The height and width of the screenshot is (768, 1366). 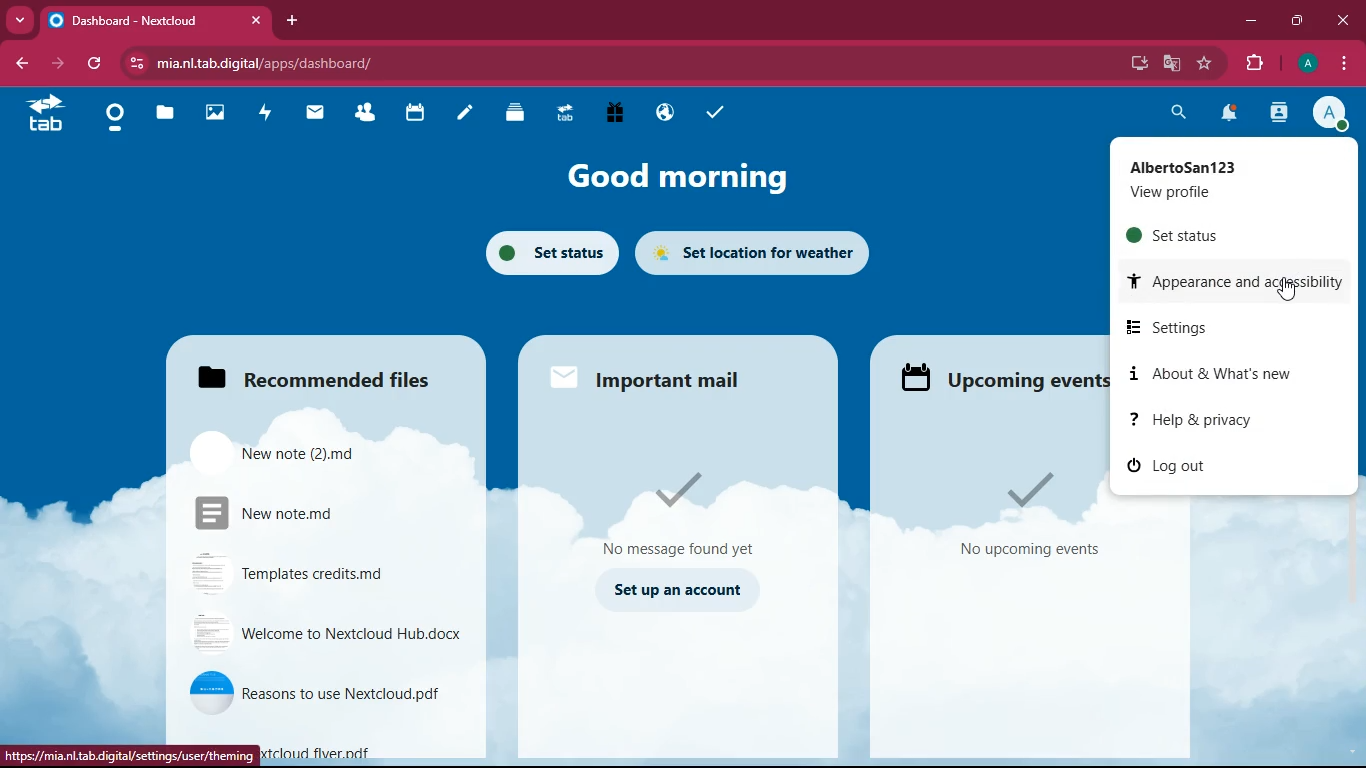 What do you see at coordinates (1030, 516) in the screenshot?
I see `events` at bounding box center [1030, 516].